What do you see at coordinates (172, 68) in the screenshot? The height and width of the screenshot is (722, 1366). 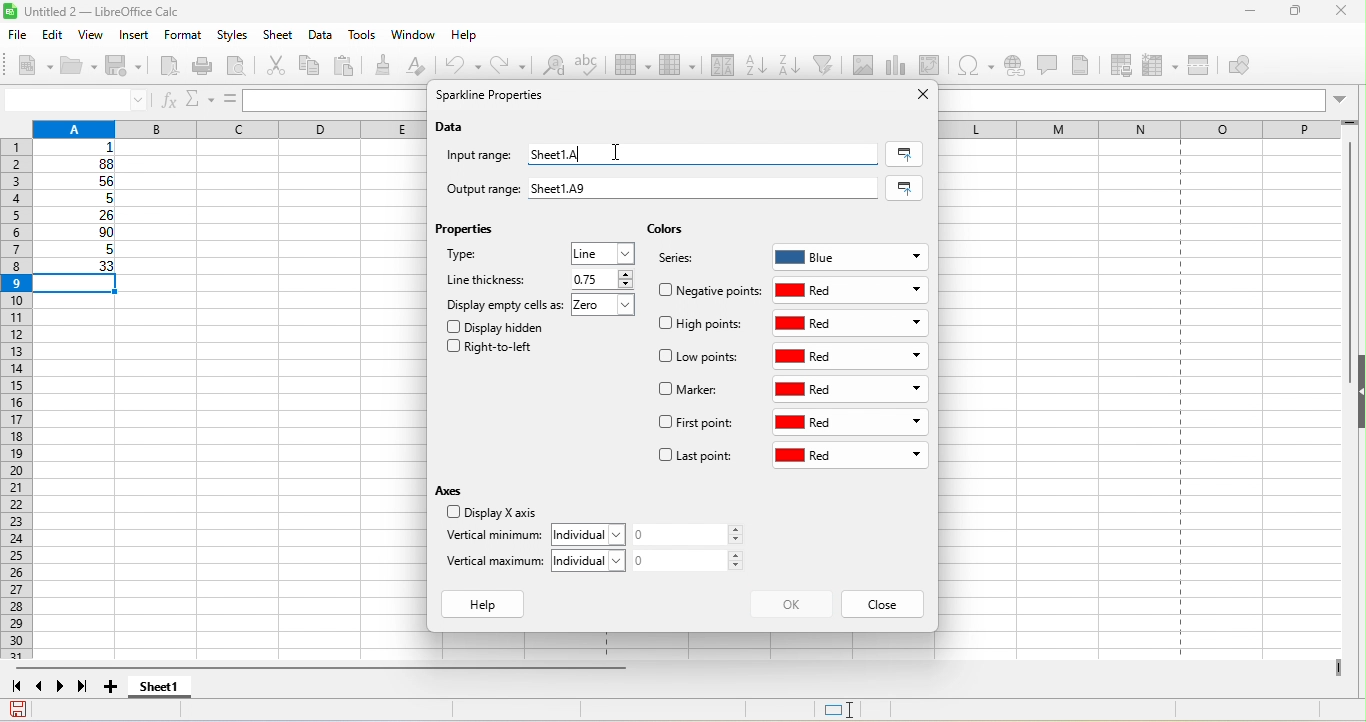 I see `export directly as pdf` at bounding box center [172, 68].